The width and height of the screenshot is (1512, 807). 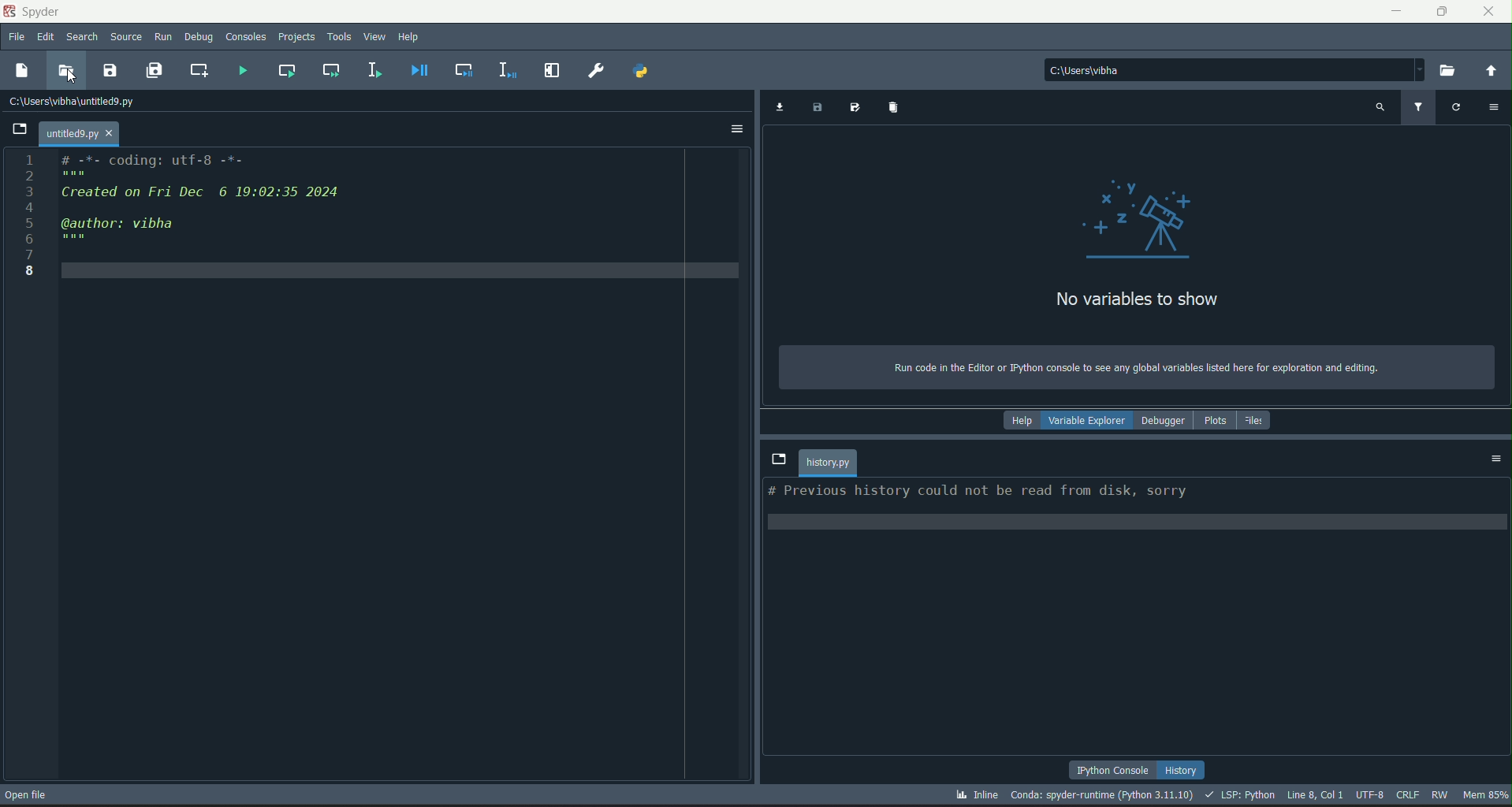 What do you see at coordinates (200, 39) in the screenshot?
I see `debug` at bounding box center [200, 39].